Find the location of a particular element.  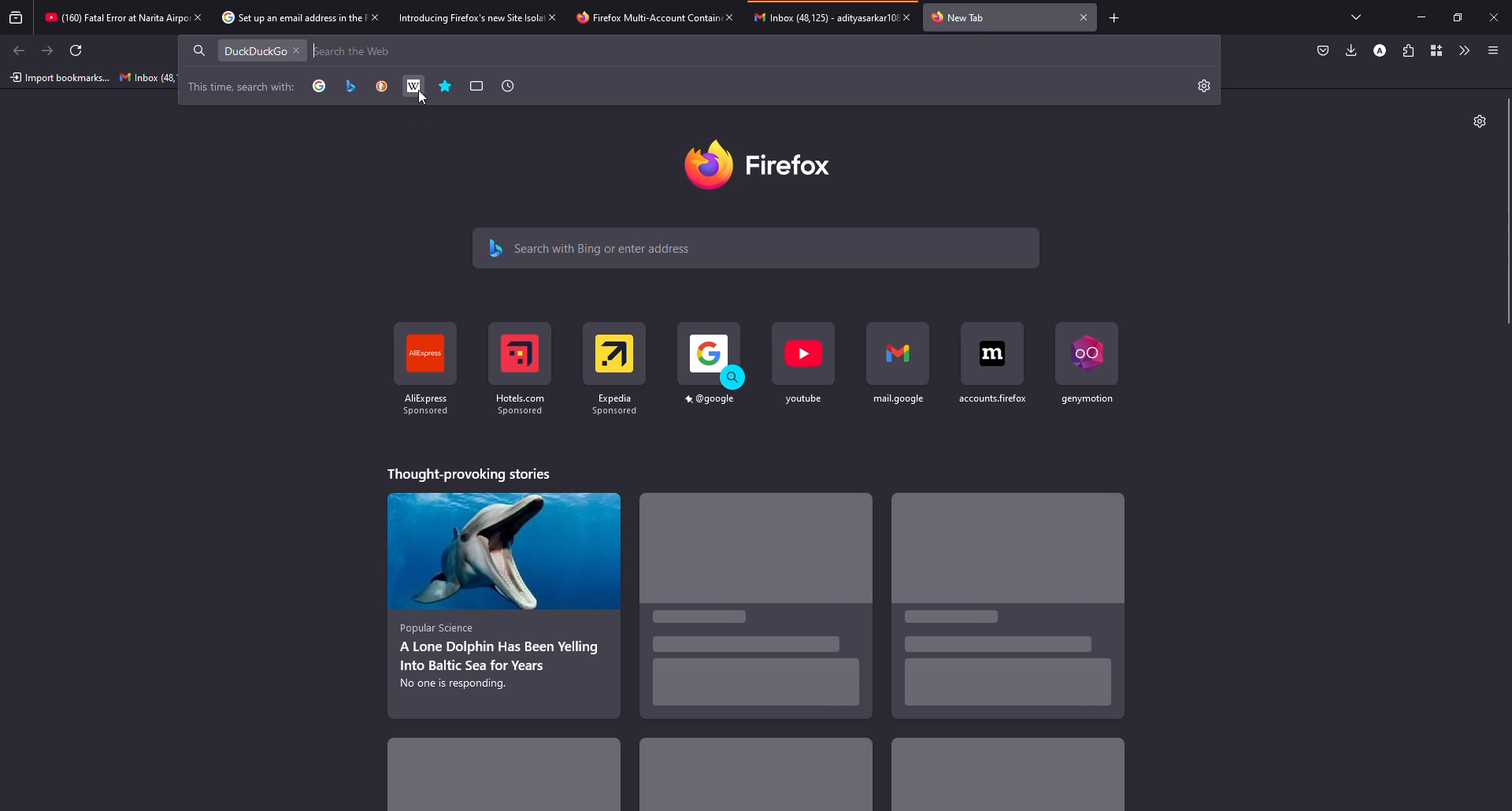

close is located at coordinates (552, 17).